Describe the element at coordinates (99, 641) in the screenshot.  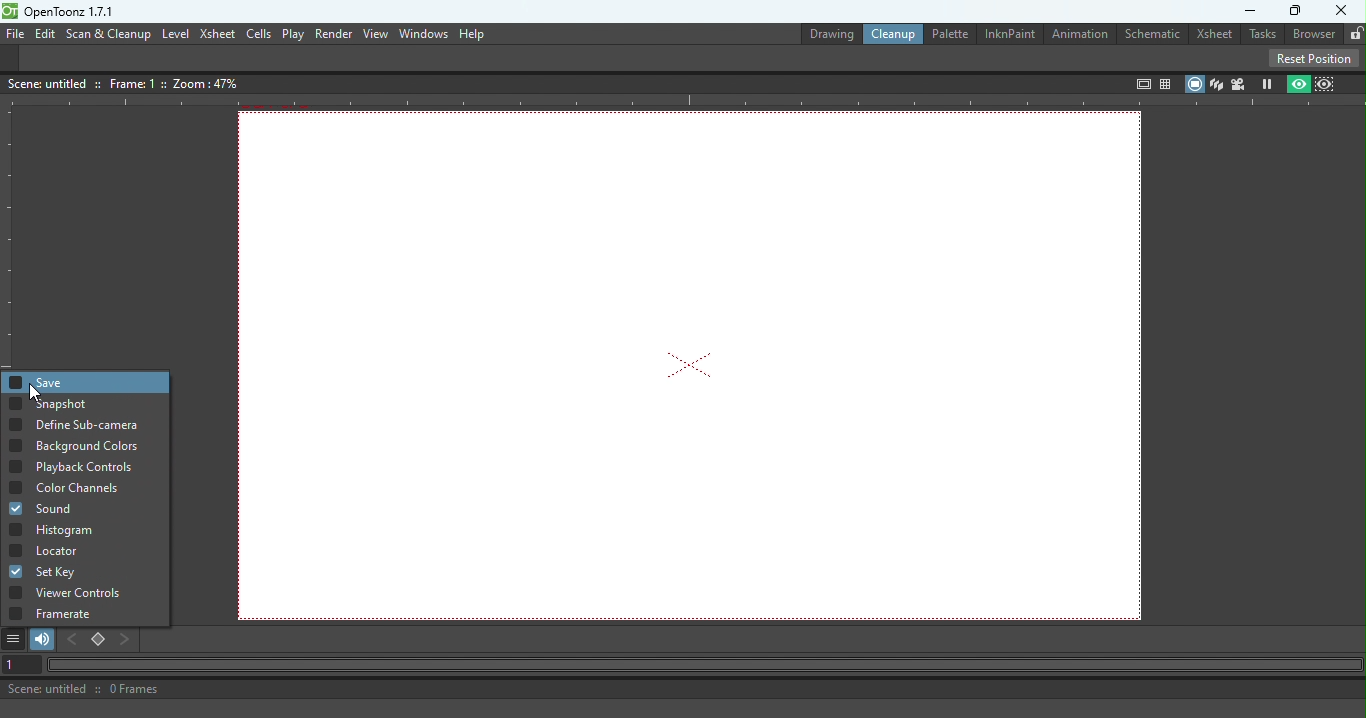
I see `Set key` at that location.